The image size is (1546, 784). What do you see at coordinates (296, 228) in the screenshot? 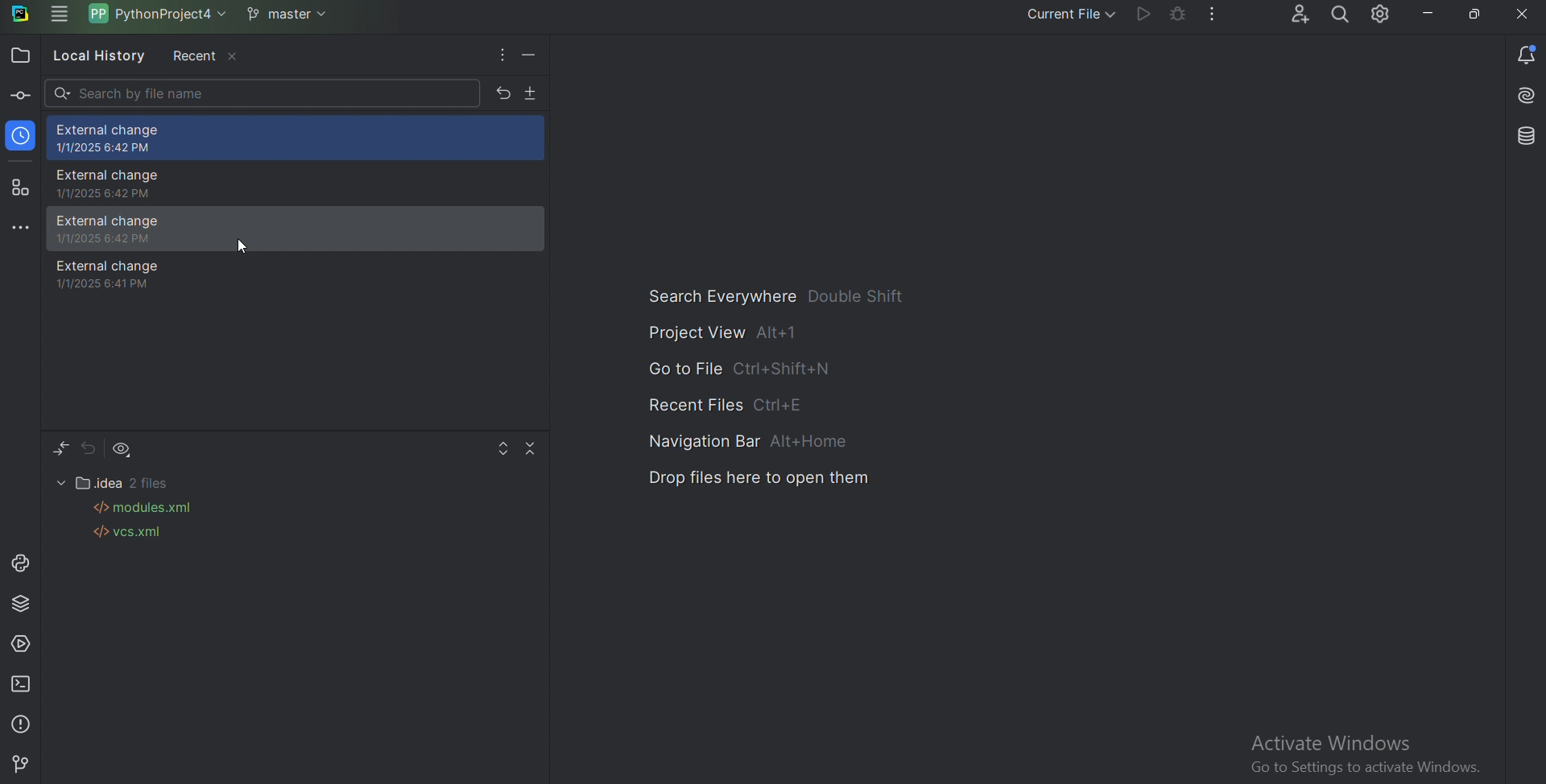
I see `External changes` at bounding box center [296, 228].